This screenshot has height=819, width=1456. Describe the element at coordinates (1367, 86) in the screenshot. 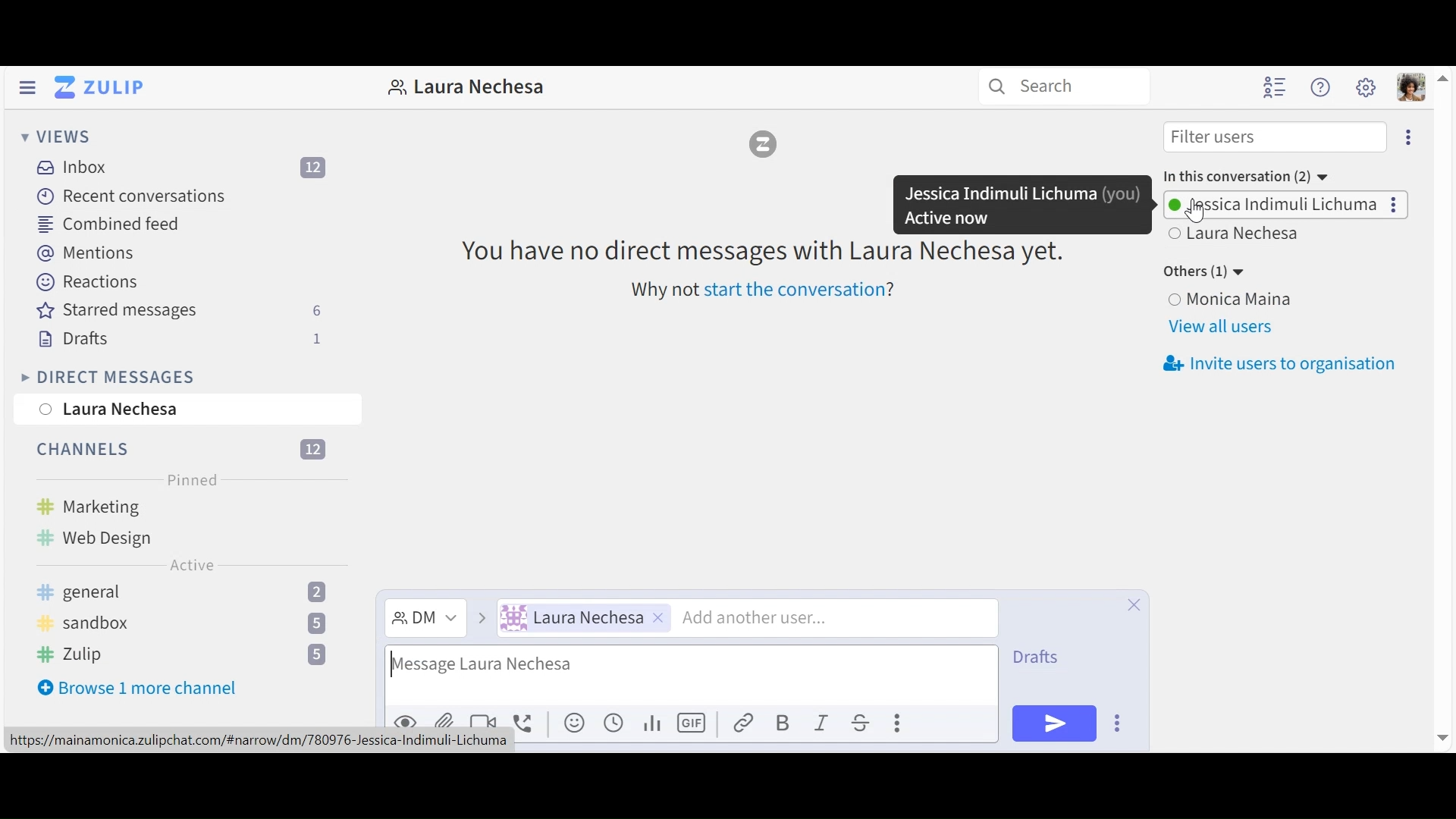

I see `Main menu` at that location.